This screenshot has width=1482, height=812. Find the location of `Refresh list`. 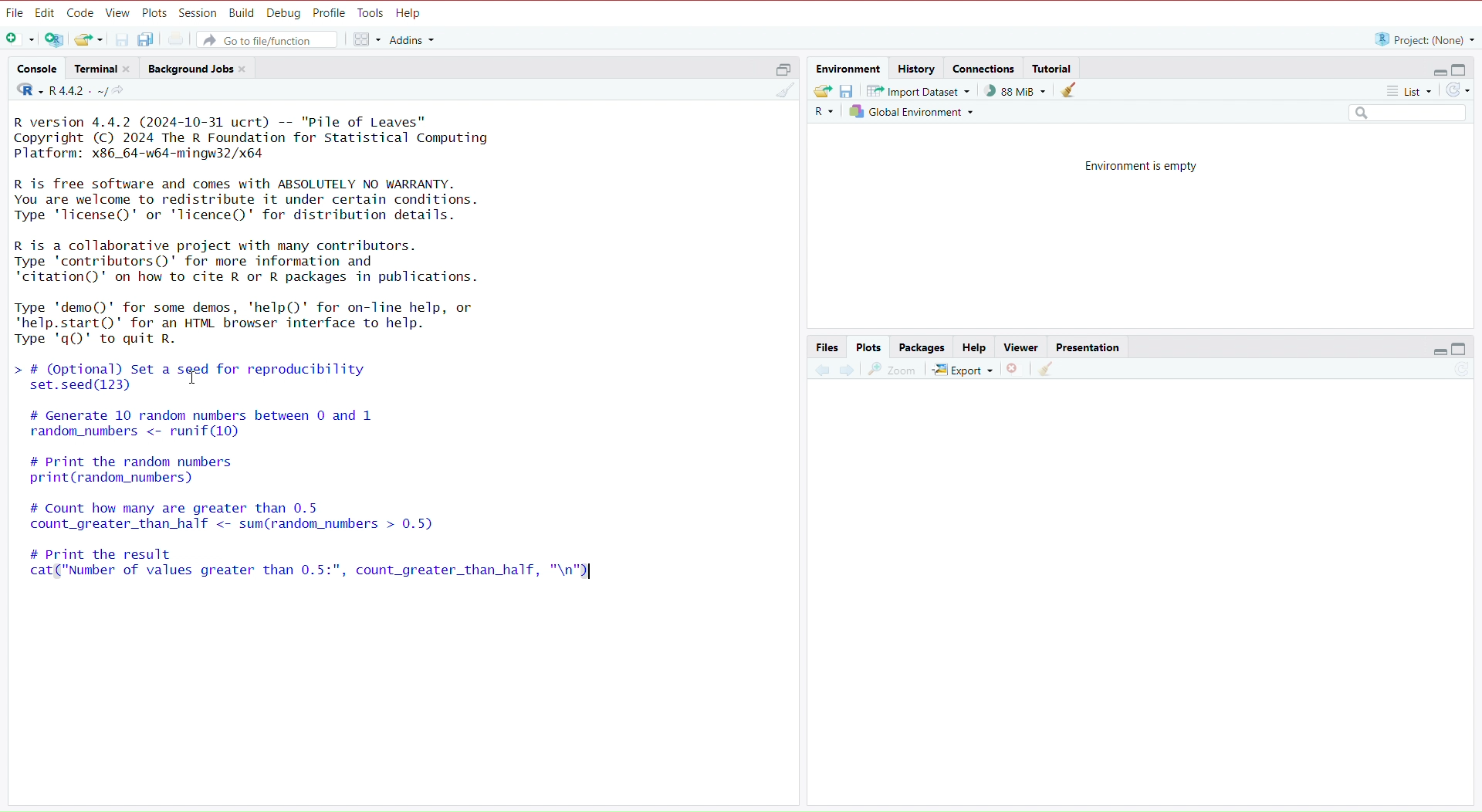

Refresh list is located at coordinates (1456, 90).